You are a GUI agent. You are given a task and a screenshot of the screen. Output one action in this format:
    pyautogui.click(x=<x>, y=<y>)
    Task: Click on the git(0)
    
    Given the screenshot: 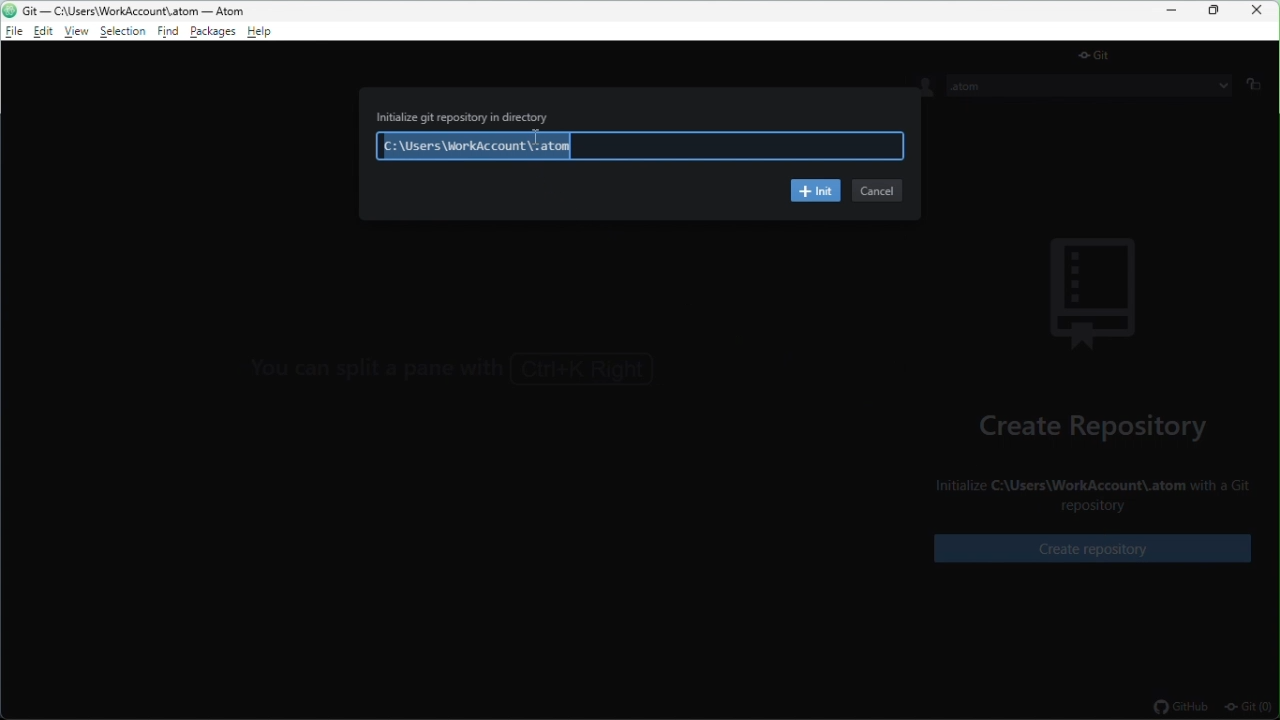 What is the action you would take?
    pyautogui.click(x=1249, y=709)
    